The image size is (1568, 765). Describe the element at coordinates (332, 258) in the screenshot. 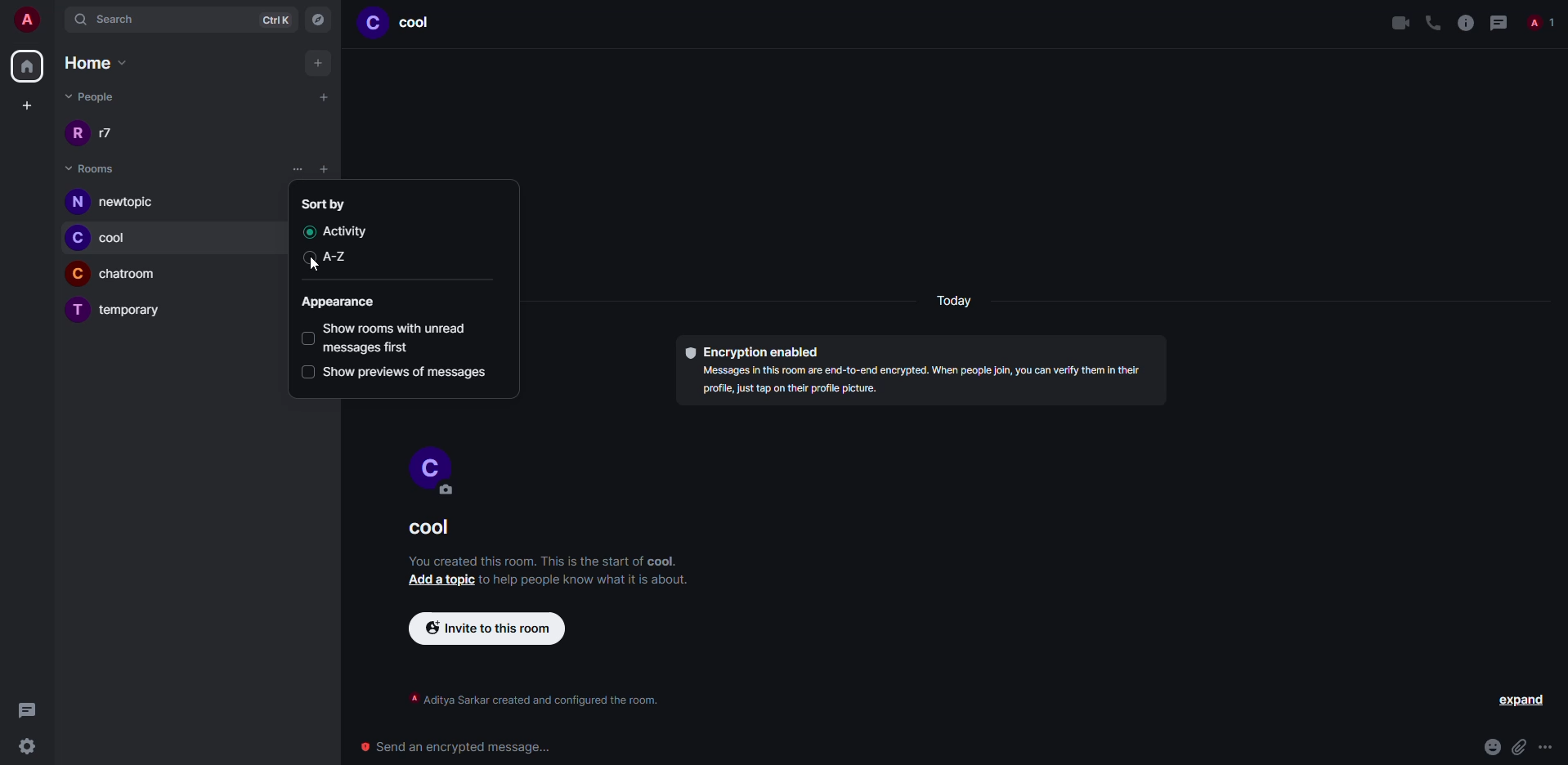

I see `a-z` at that location.